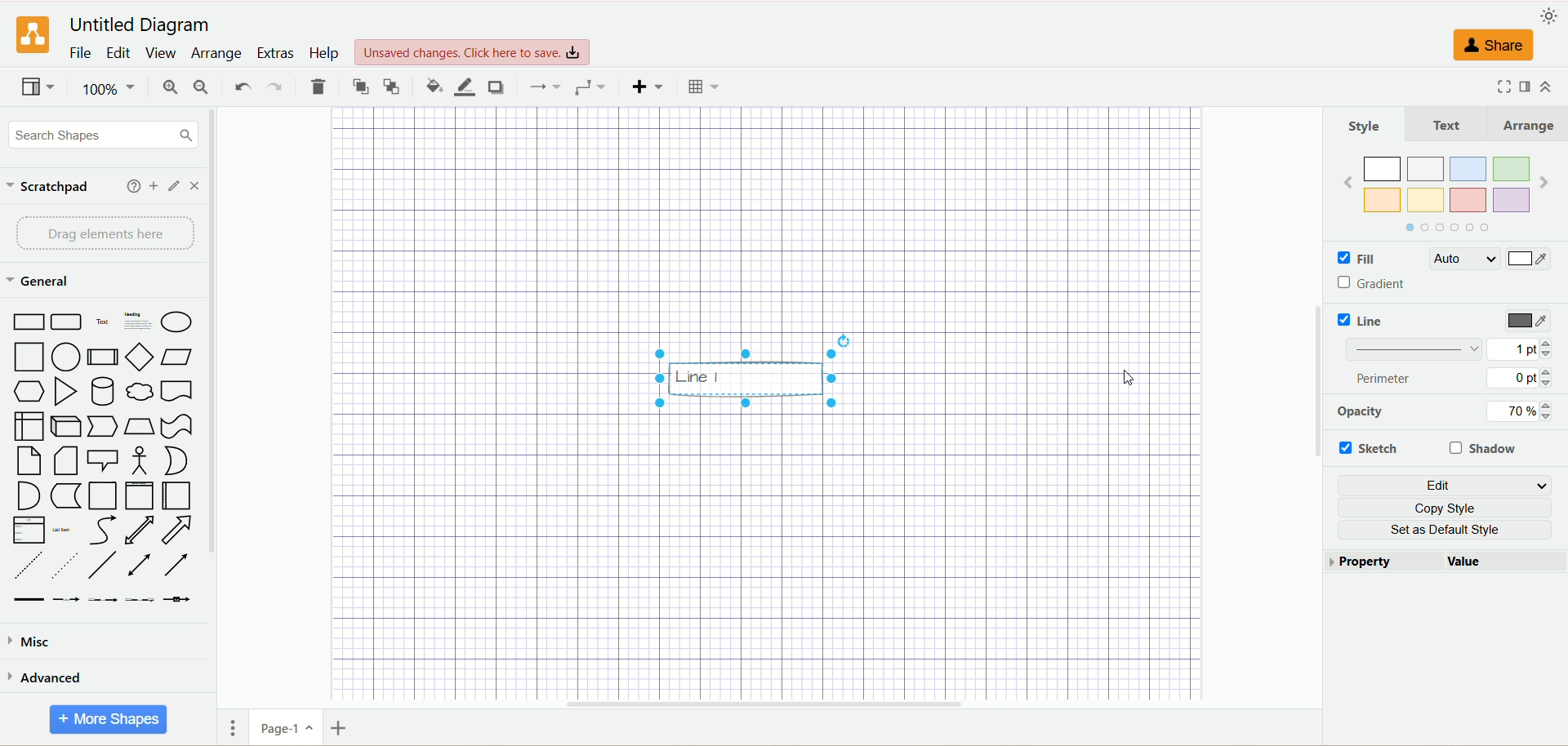 The image size is (1568, 746). I want to click on Internal storage, so click(28, 426).